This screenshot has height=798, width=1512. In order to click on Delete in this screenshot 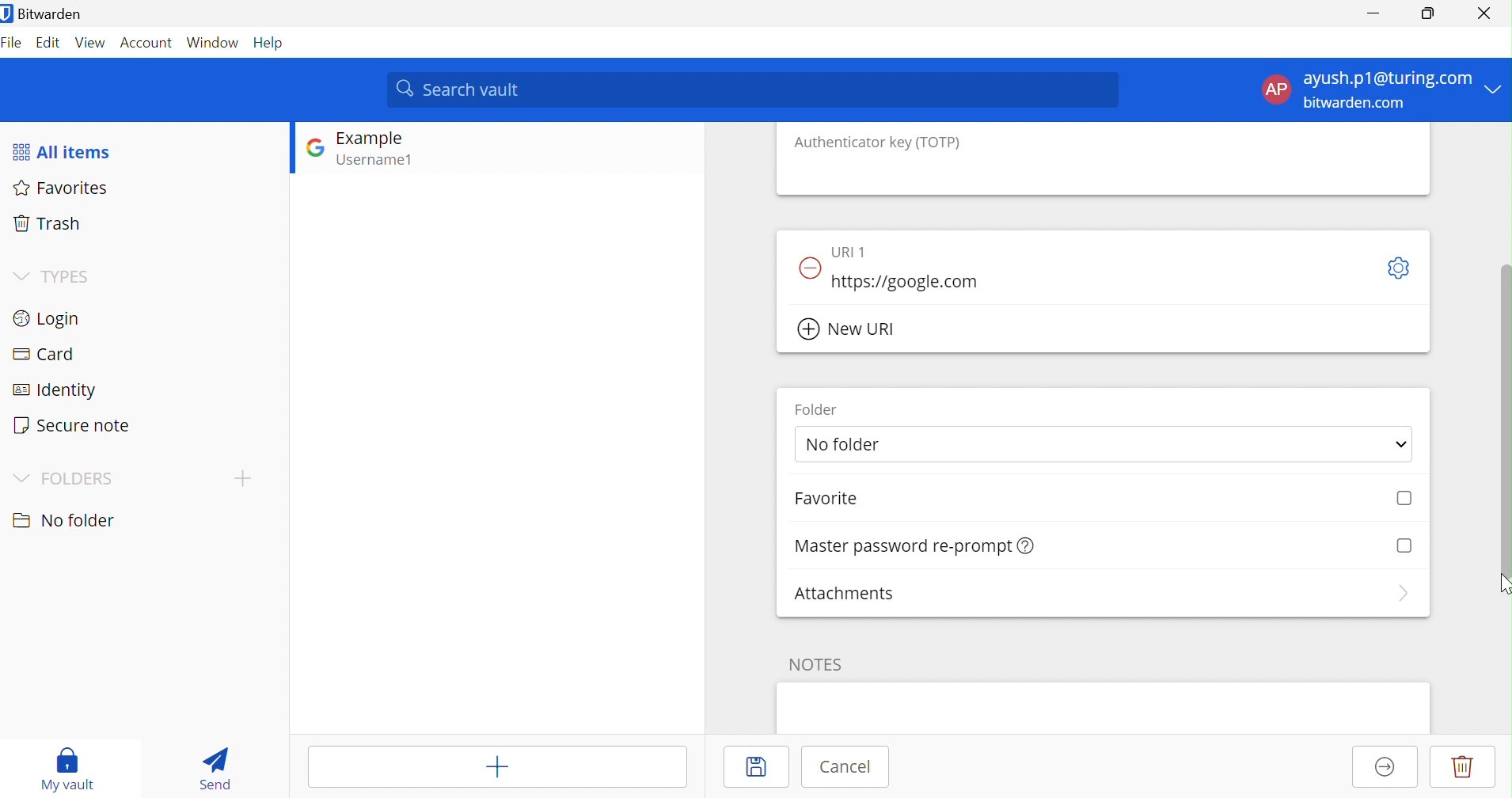, I will do `click(1463, 768)`.